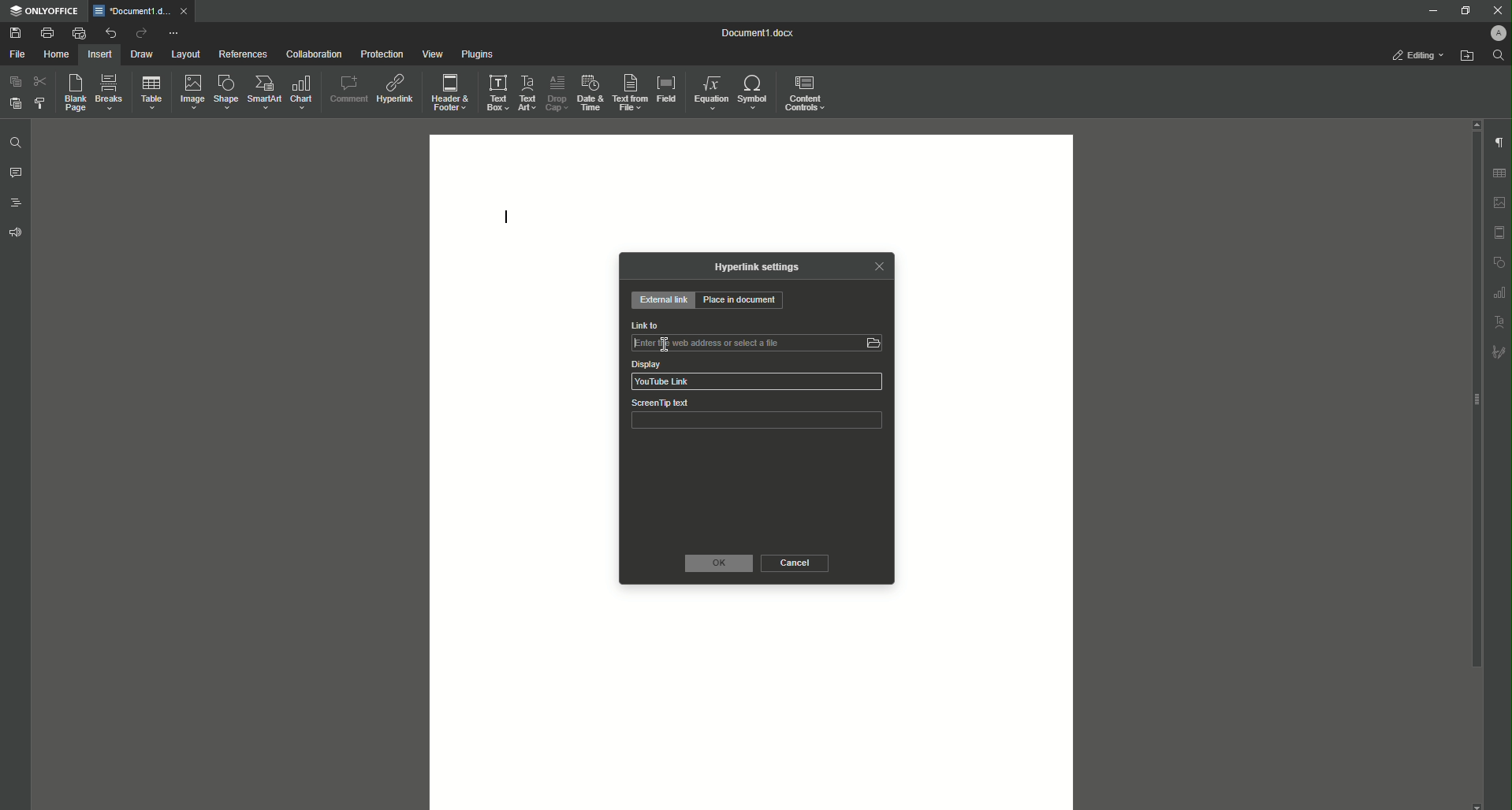  I want to click on Quick Print, so click(79, 32).